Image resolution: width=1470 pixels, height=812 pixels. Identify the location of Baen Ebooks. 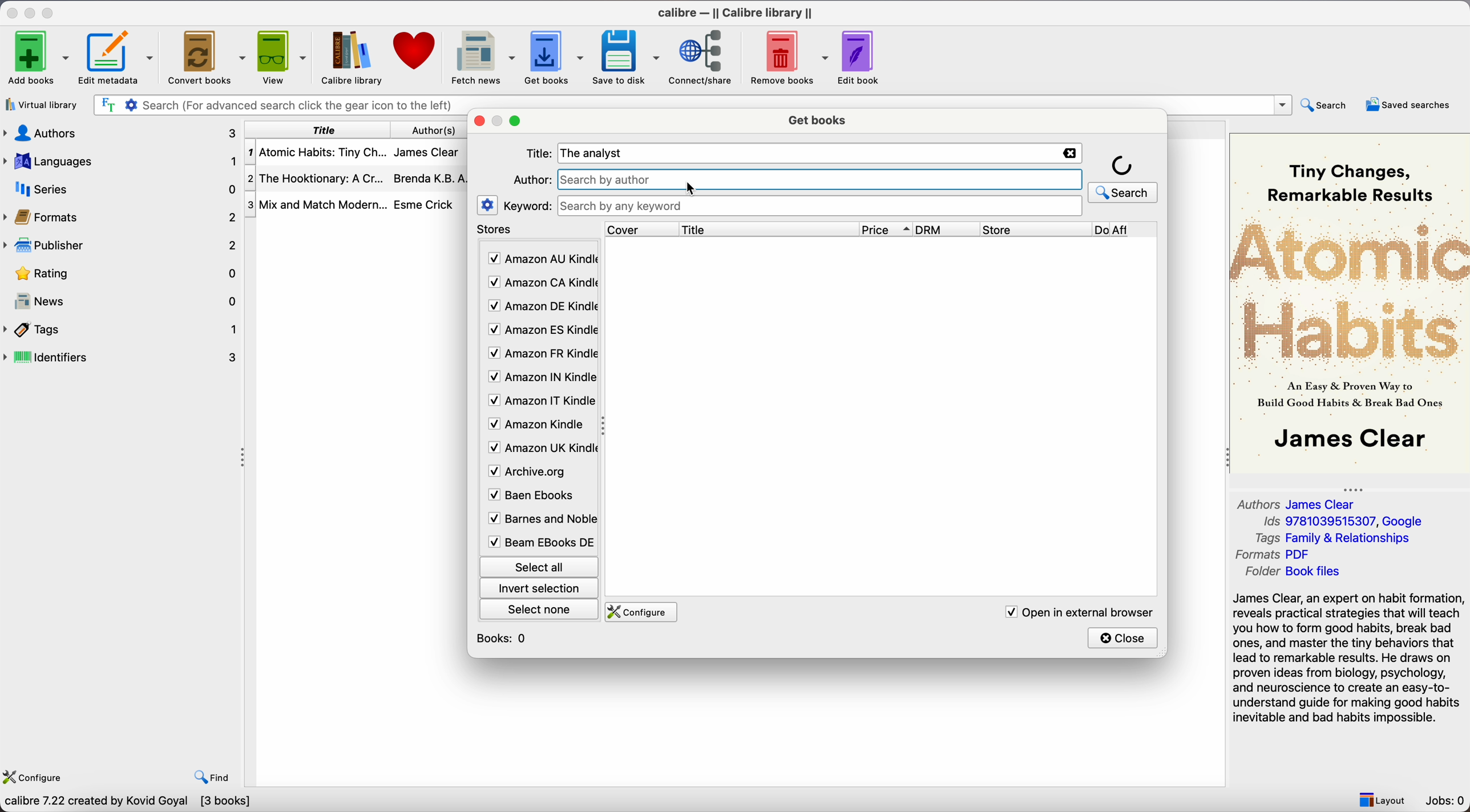
(535, 498).